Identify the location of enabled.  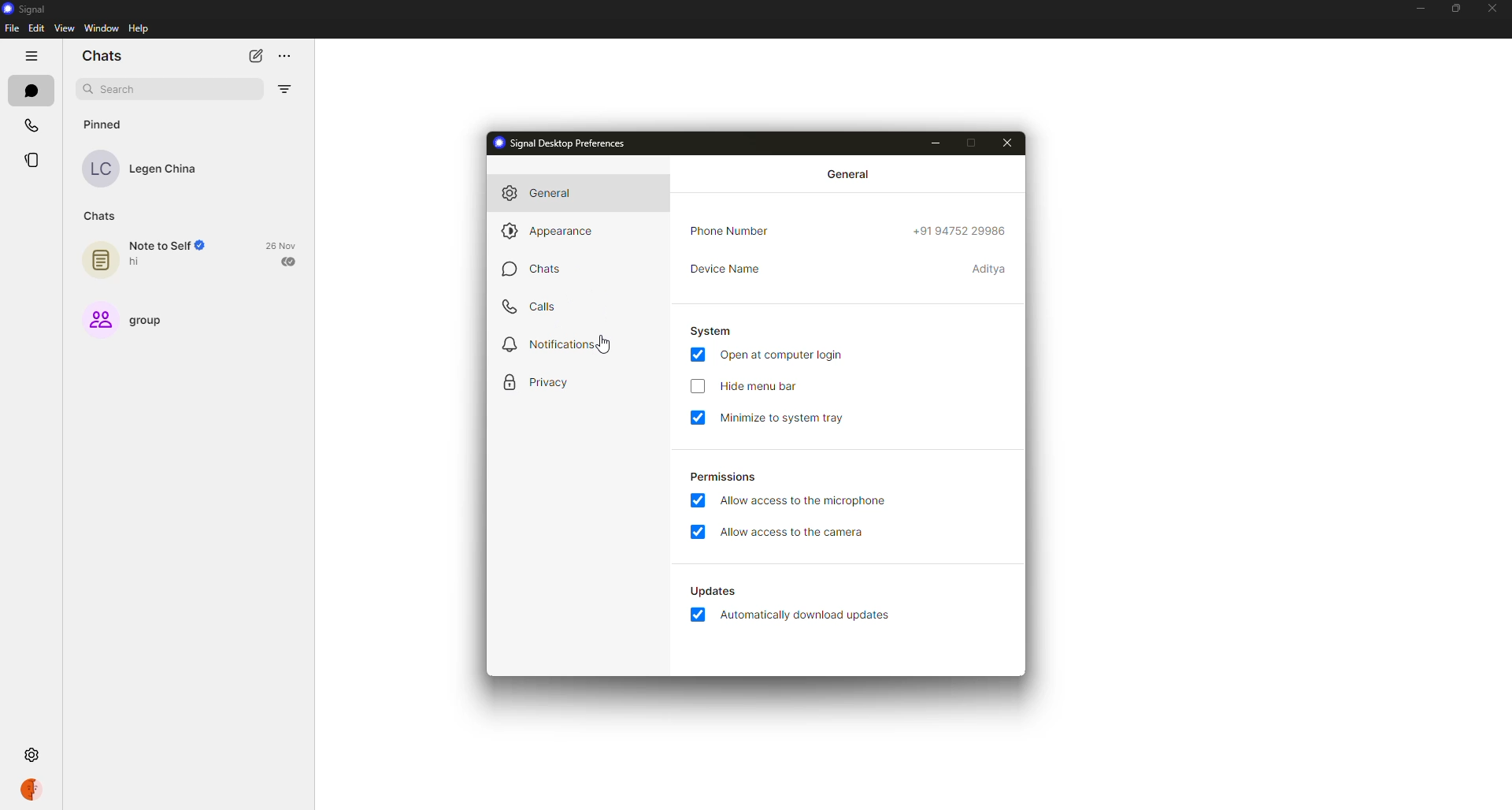
(696, 500).